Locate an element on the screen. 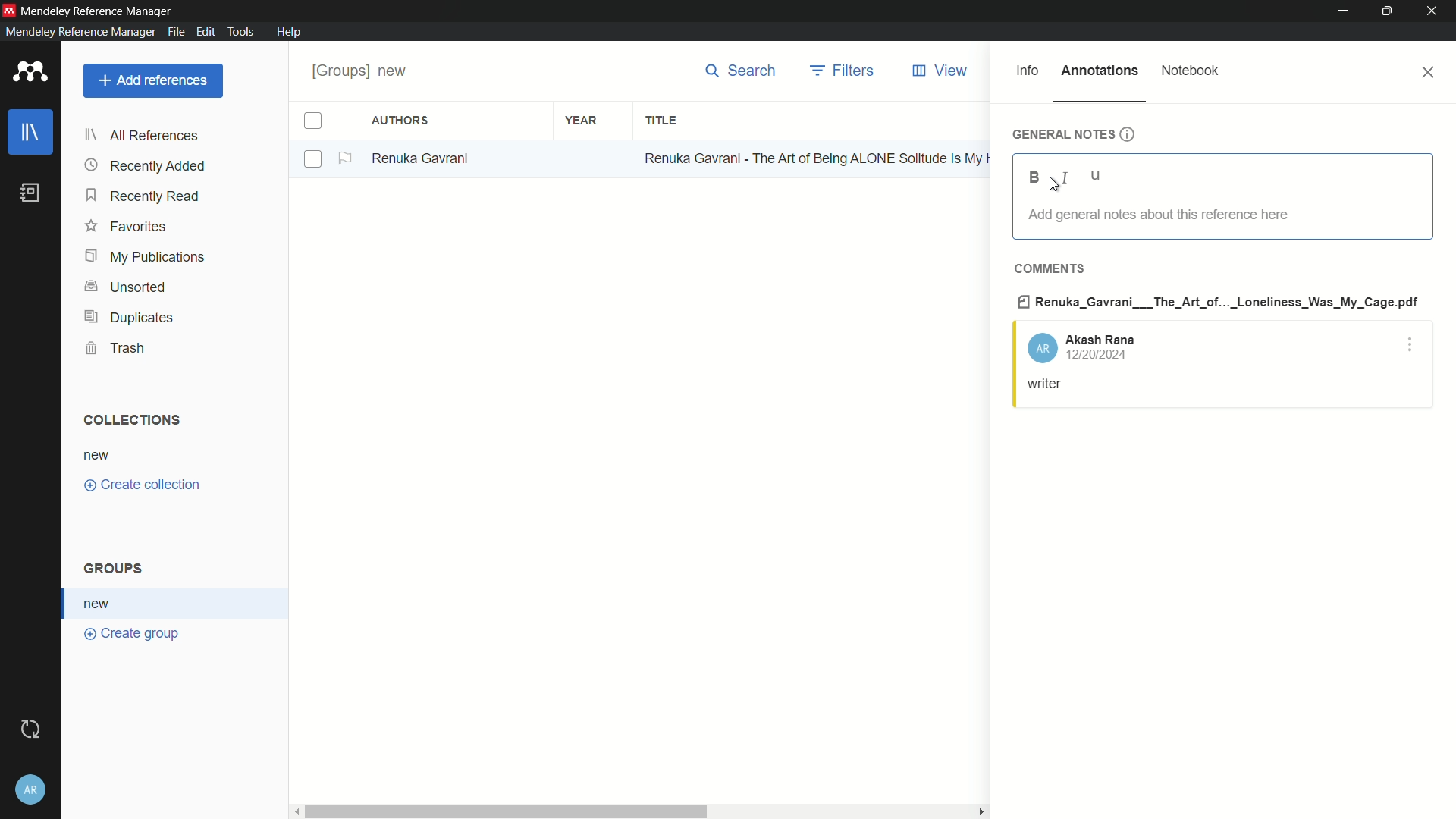 This screenshot has height=819, width=1456. favorites is located at coordinates (127, 228).